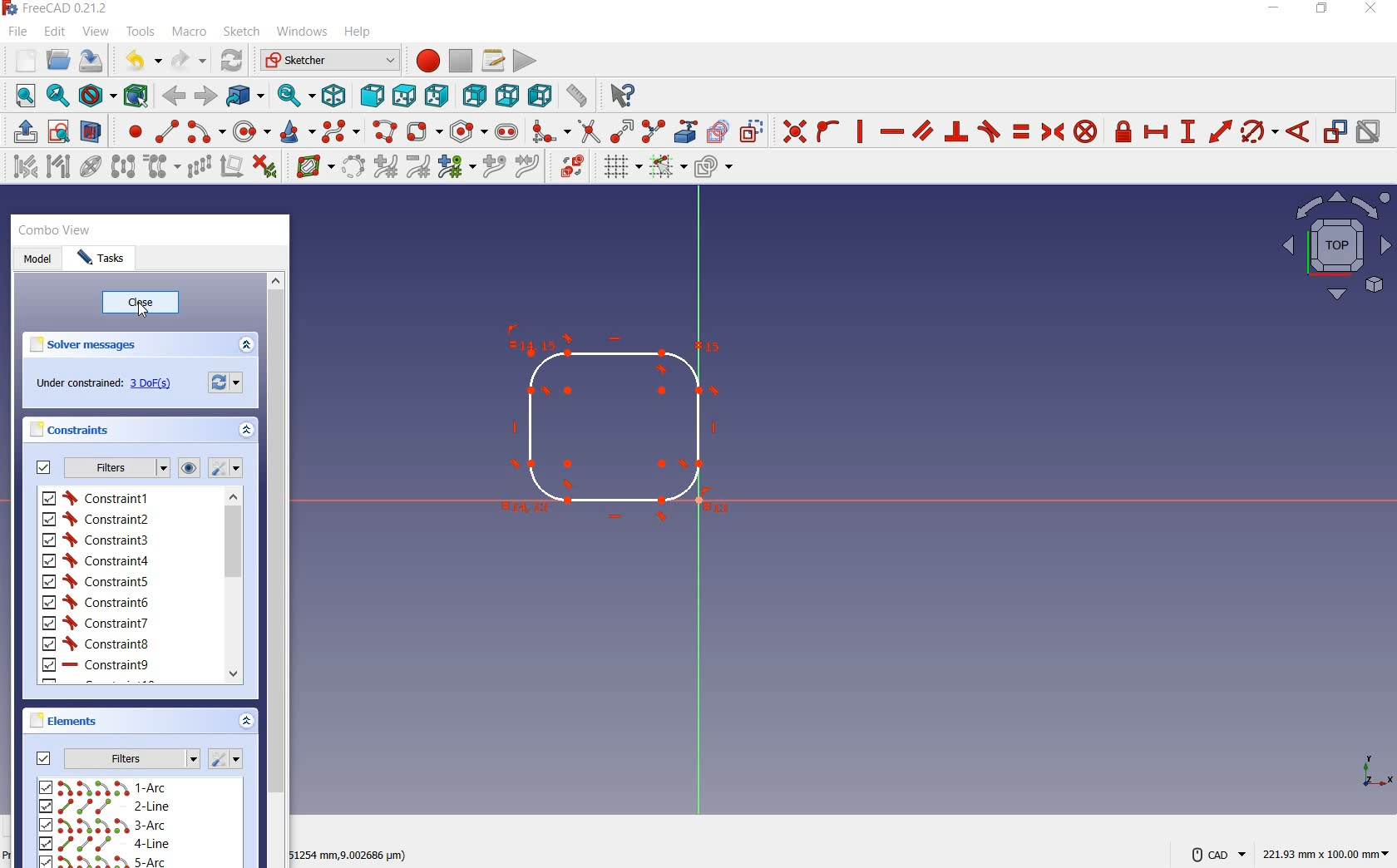 The height and width of the screenshot is (868, 1397). I want to click on combo view, so click(81, 230).